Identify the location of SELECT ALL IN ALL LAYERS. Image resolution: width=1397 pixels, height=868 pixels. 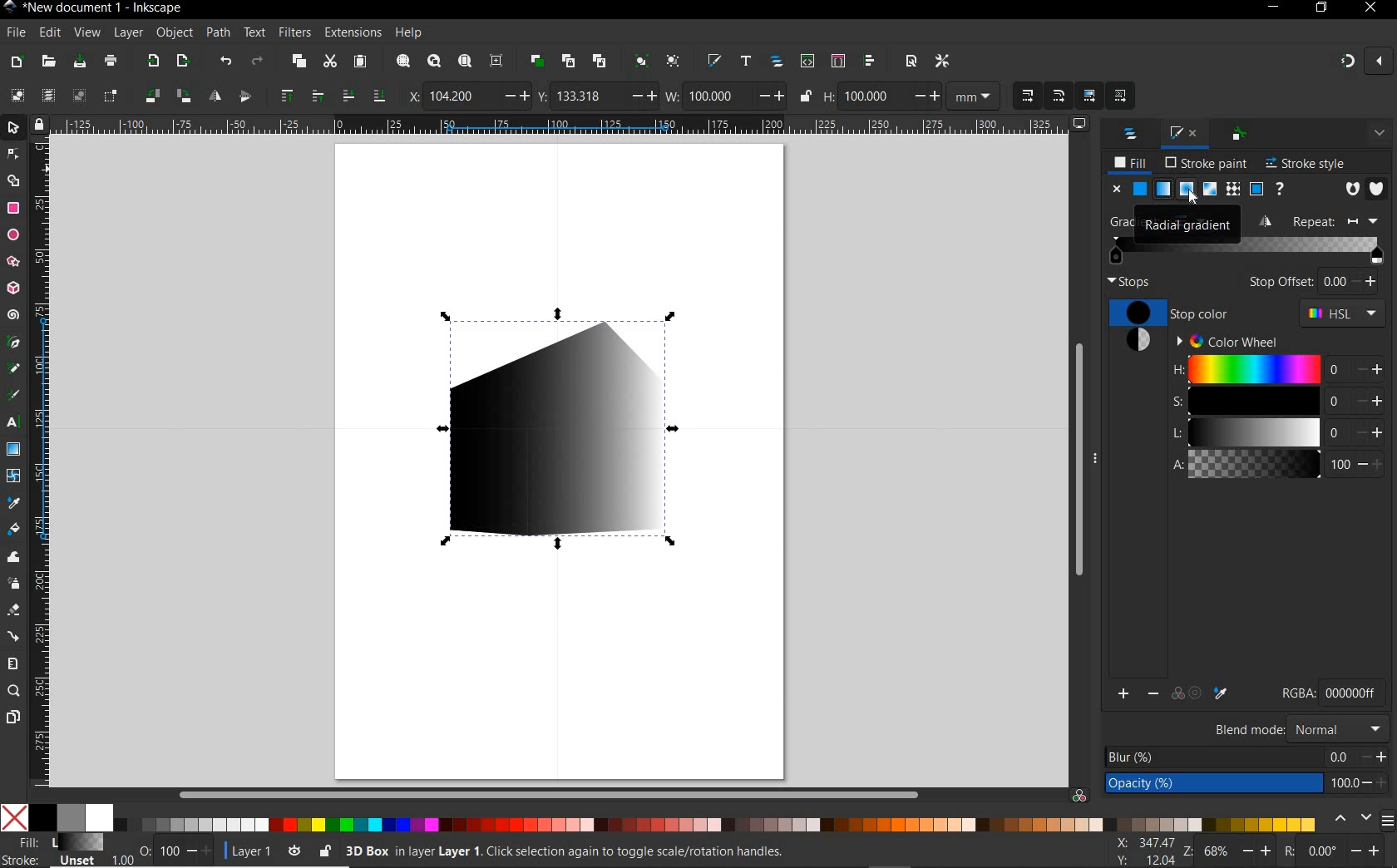
(47, 95).